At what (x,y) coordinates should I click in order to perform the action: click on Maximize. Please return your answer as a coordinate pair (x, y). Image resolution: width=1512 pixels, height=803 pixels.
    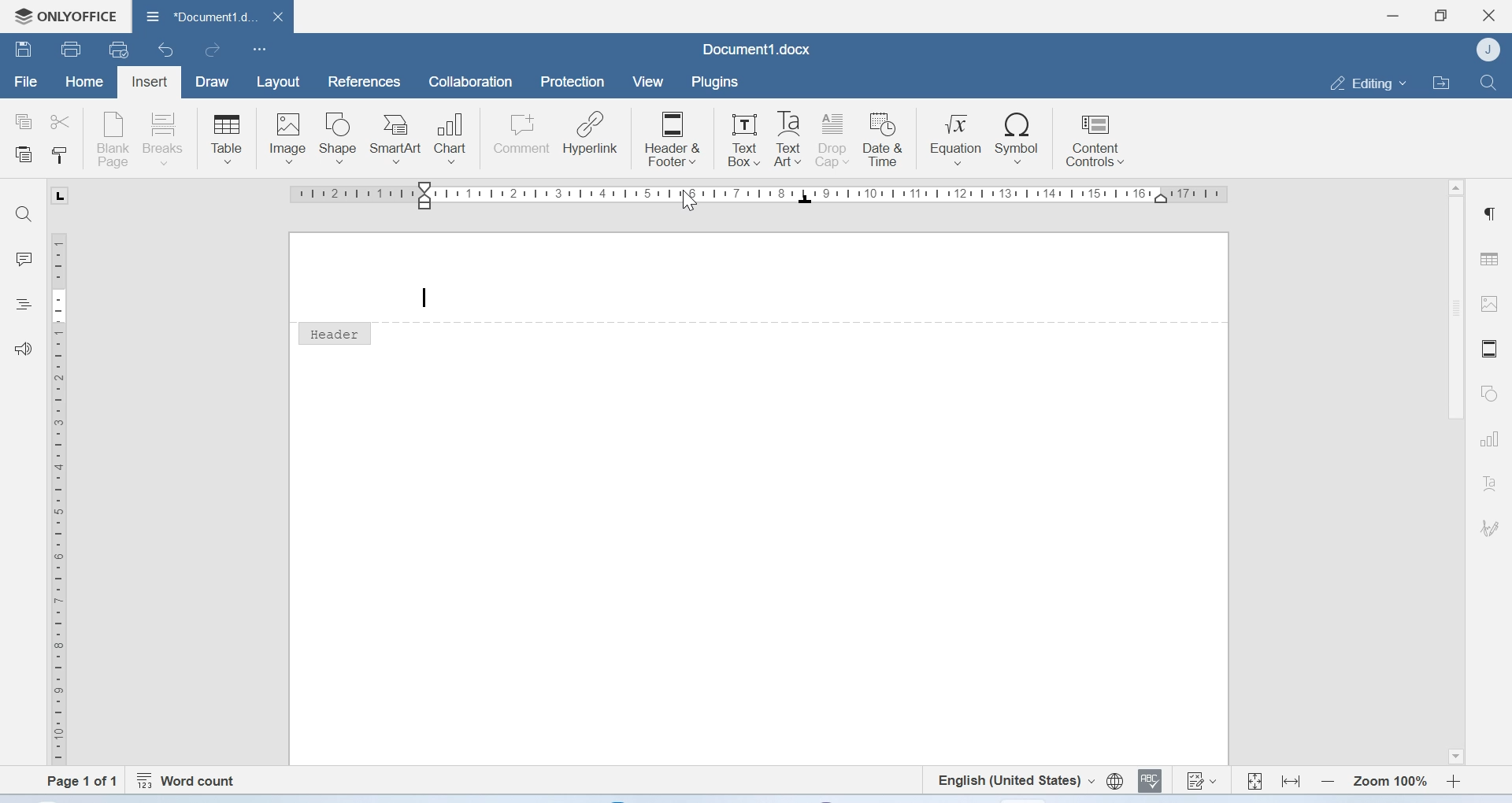
    Looking at the image, I should click on (1442, 14).